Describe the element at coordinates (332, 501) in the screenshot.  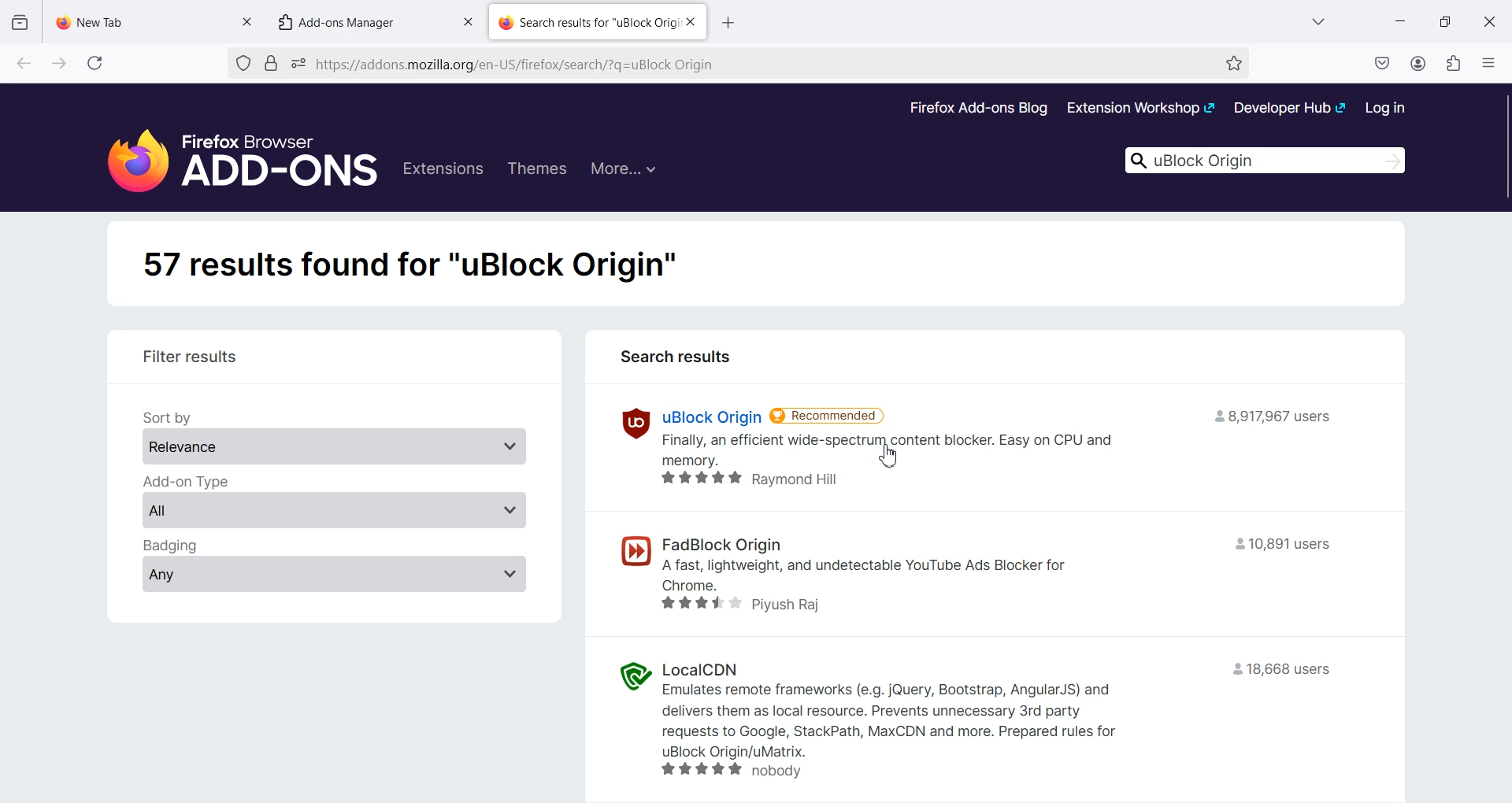
I see `Add-on Type - All` at that location.